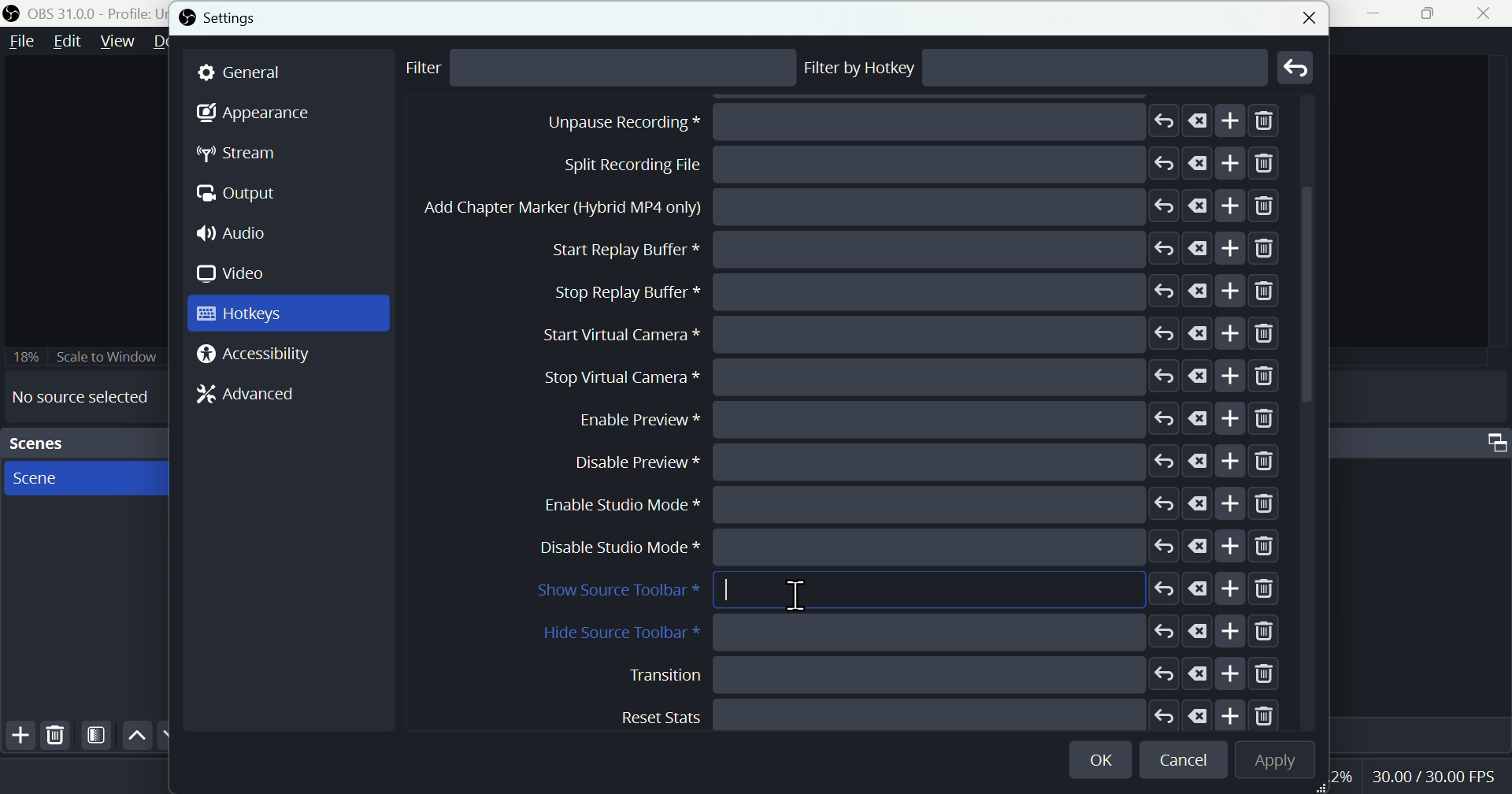 The image size is (1512, 794). I want to click on Accessibility, so click(258, 355).